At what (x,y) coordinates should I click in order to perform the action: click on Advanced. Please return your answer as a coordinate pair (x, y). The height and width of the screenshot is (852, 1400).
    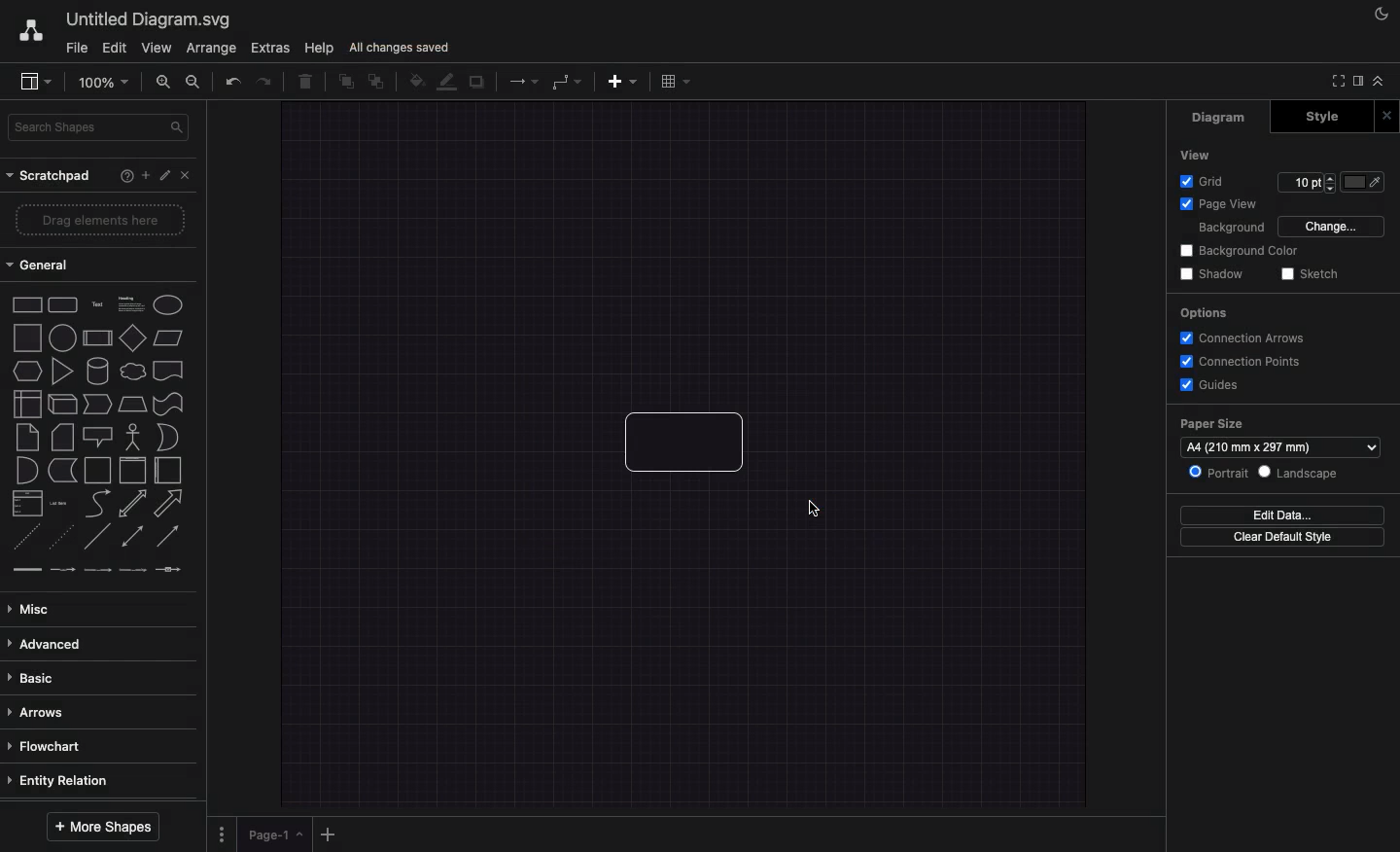
    Looking at the image, I should click on (48, 646).